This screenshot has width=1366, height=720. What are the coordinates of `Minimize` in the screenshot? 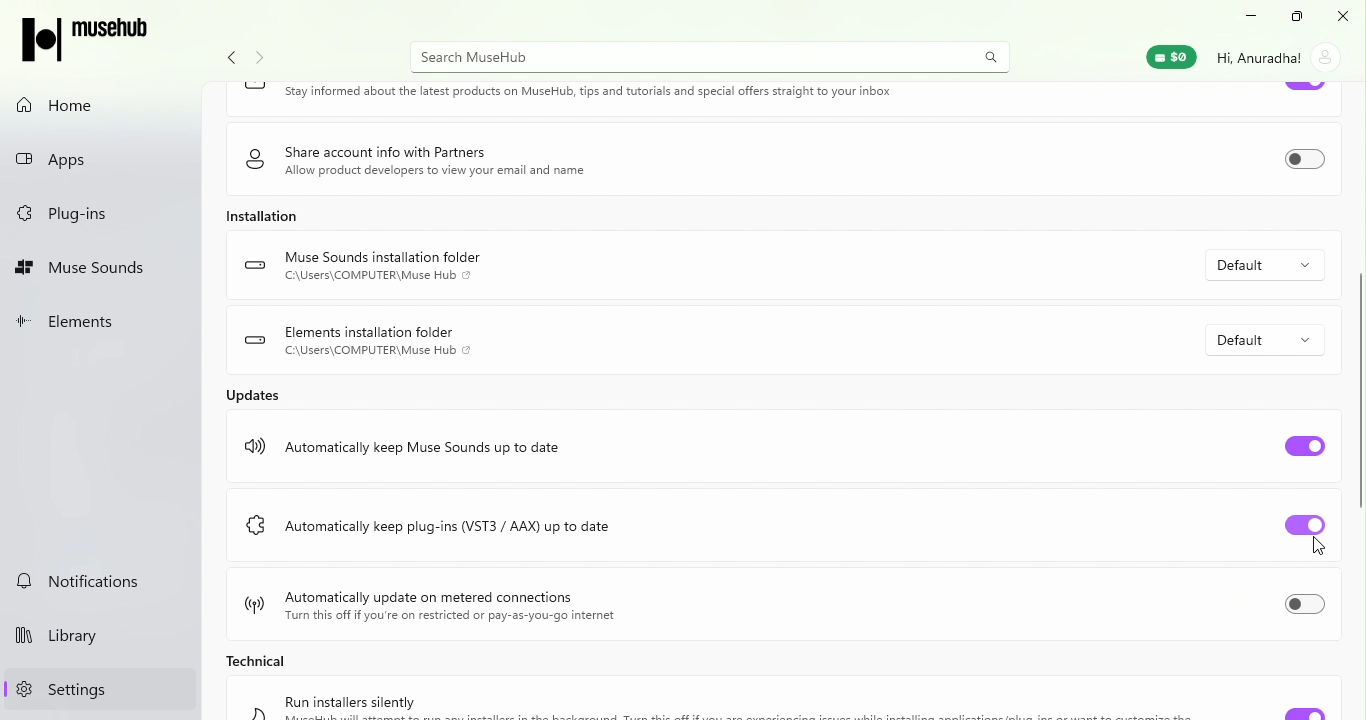 It's located at (1248, 20).